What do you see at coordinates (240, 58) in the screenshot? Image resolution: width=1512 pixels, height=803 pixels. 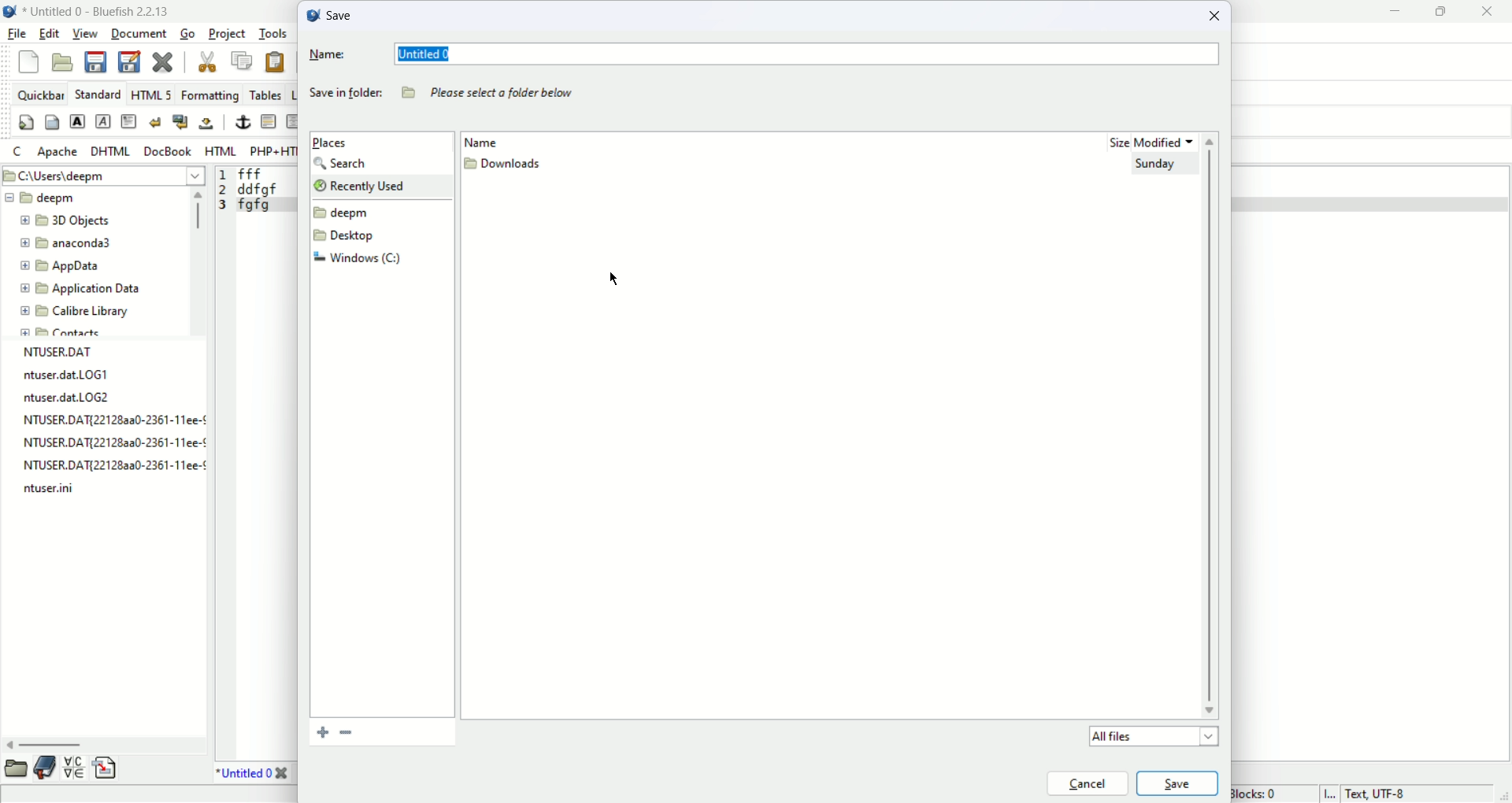 I see `copy` at bounding box center [240, 58].